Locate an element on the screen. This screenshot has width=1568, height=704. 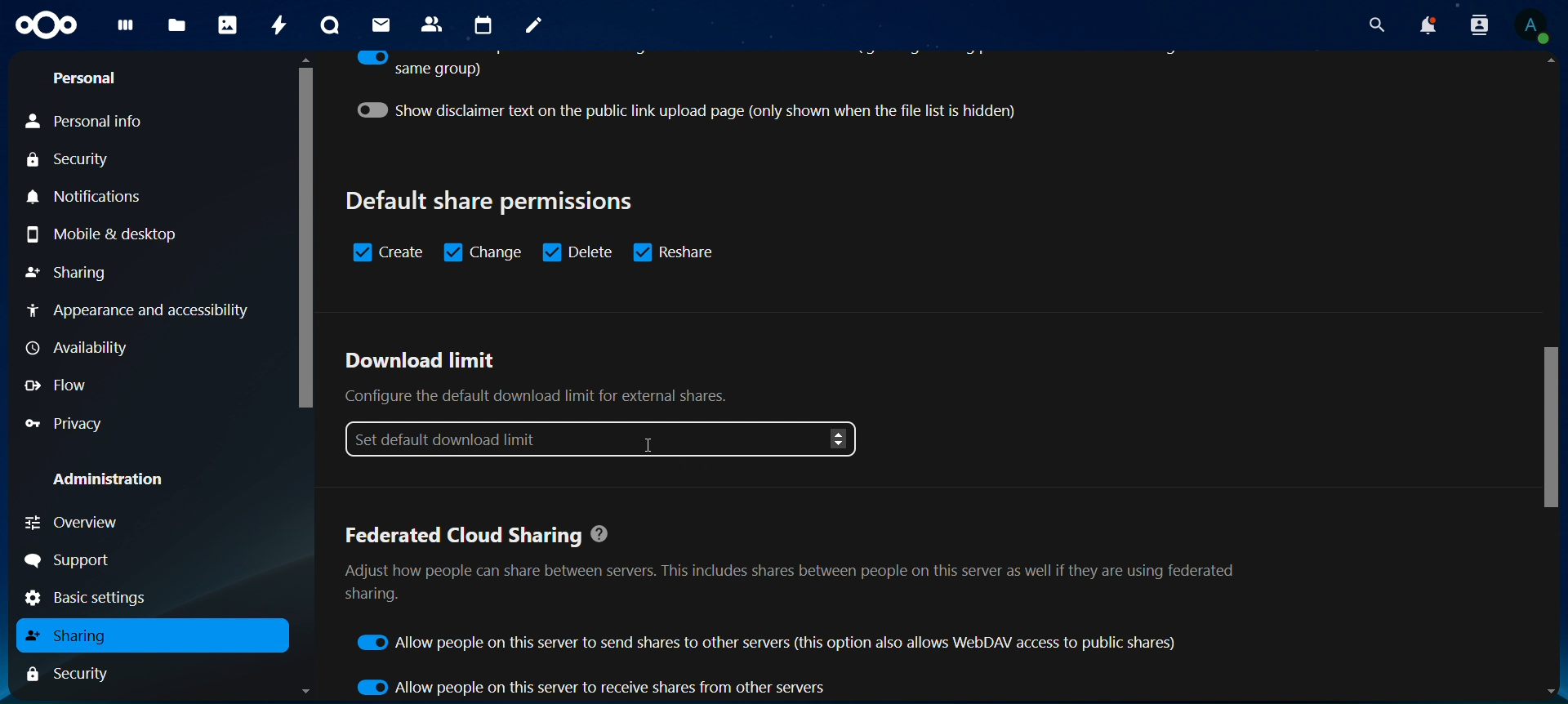
calendar is located at coordinates (483, 25).